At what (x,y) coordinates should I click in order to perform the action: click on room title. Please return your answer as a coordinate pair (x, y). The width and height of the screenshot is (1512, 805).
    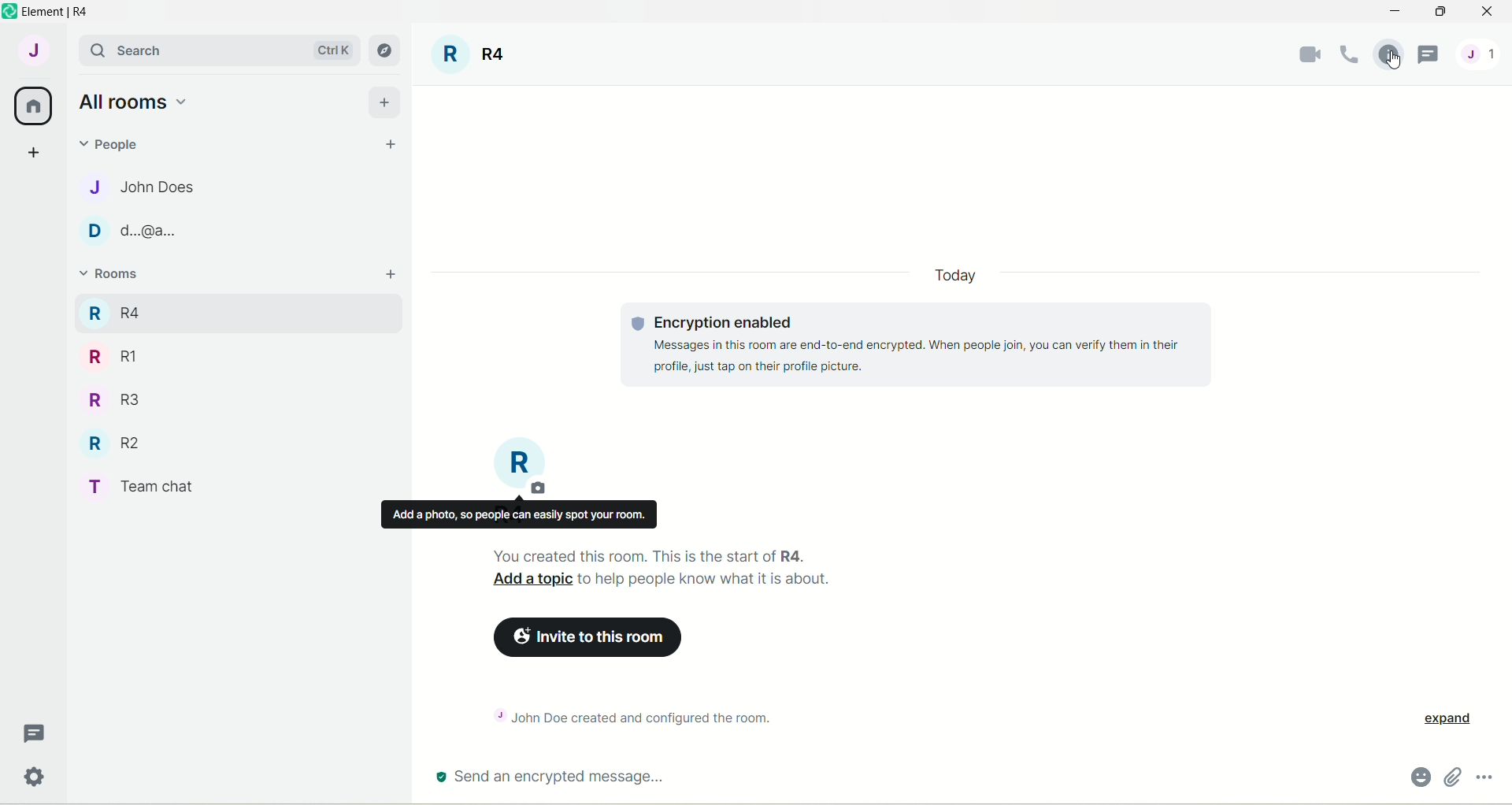
    Looking at the image, I should click on (521, 467).